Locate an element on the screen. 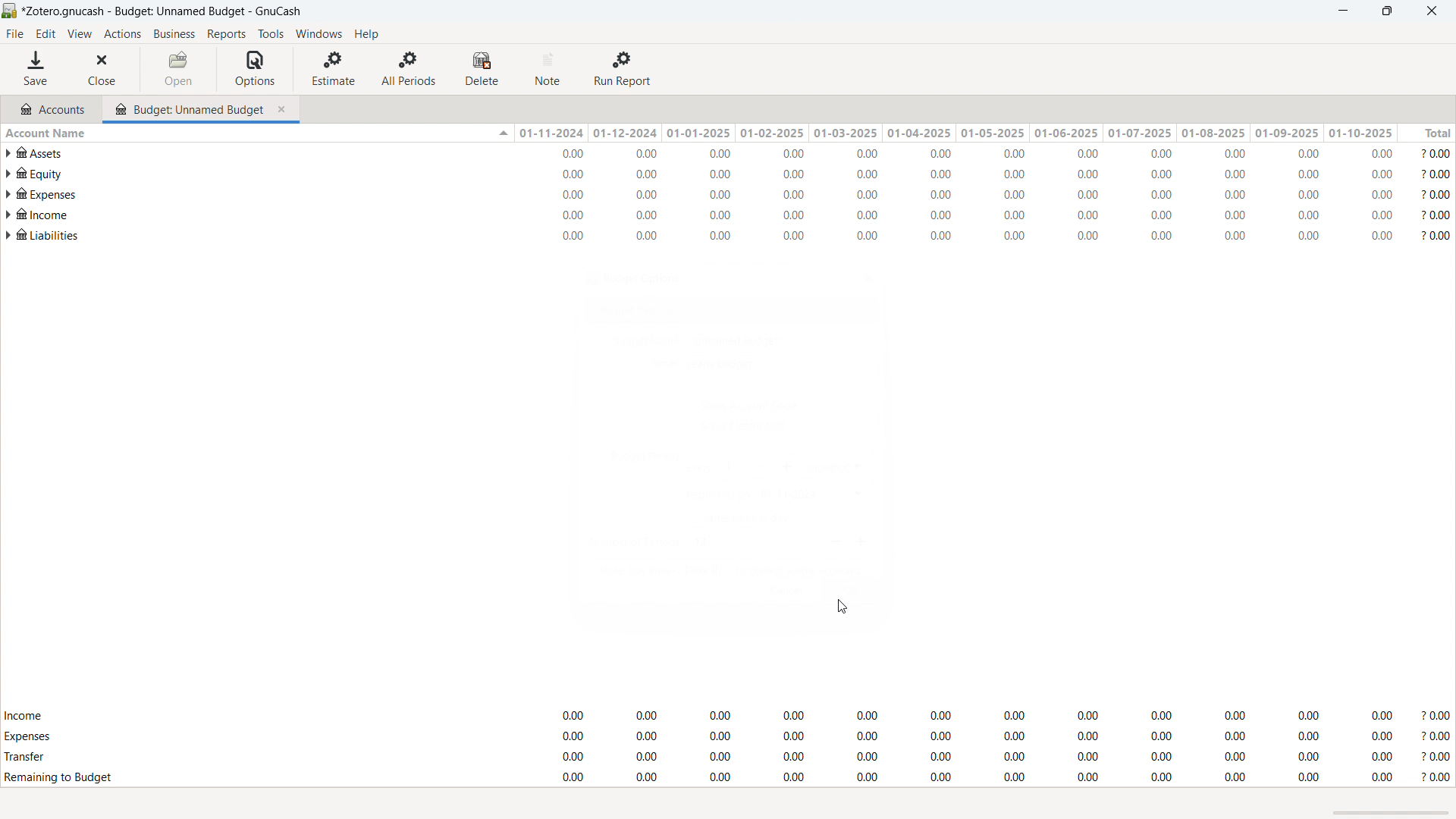  close tab is located at coordinates (285, 107).